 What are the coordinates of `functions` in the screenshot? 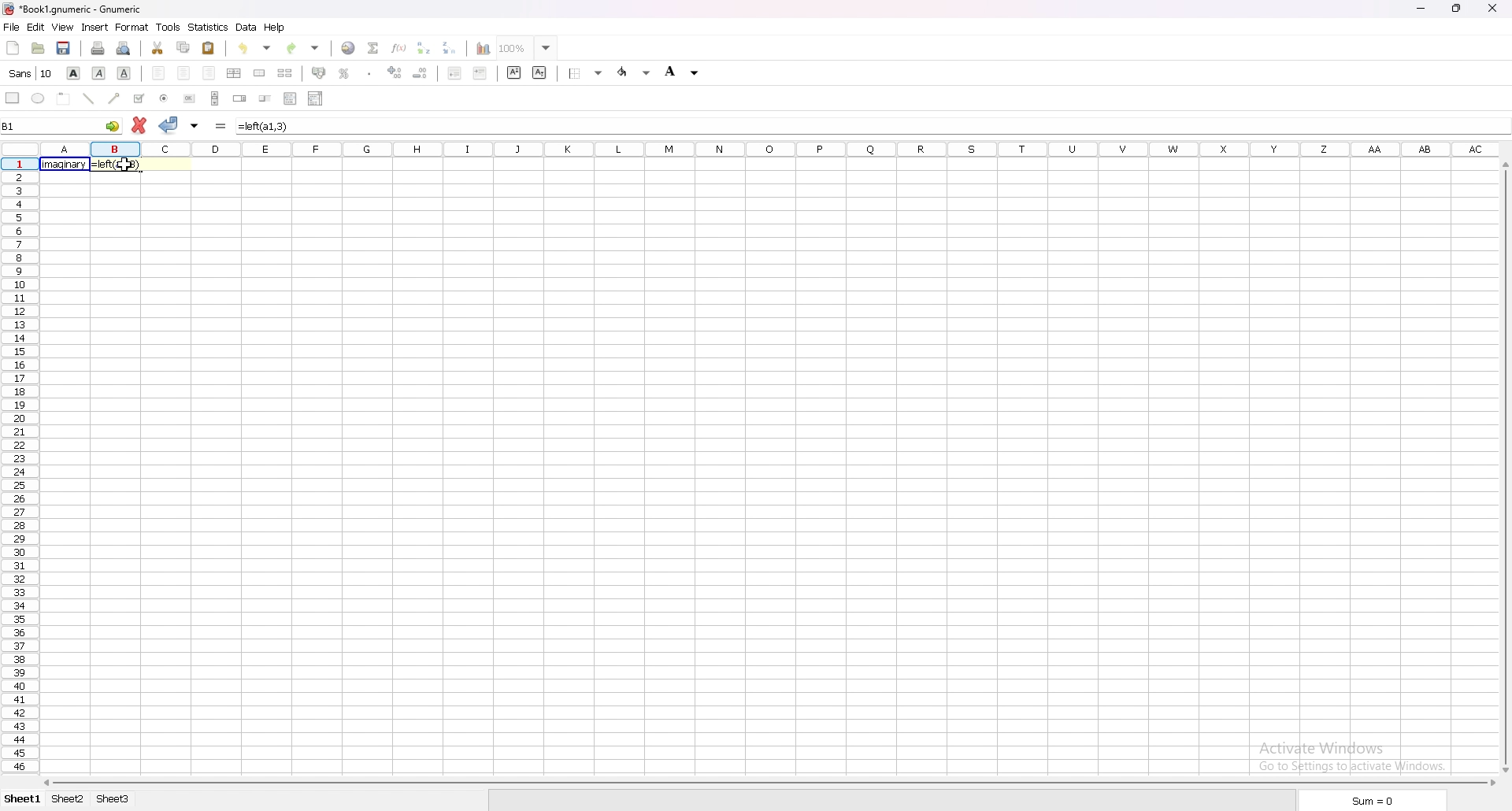 It's located at (398, 47).